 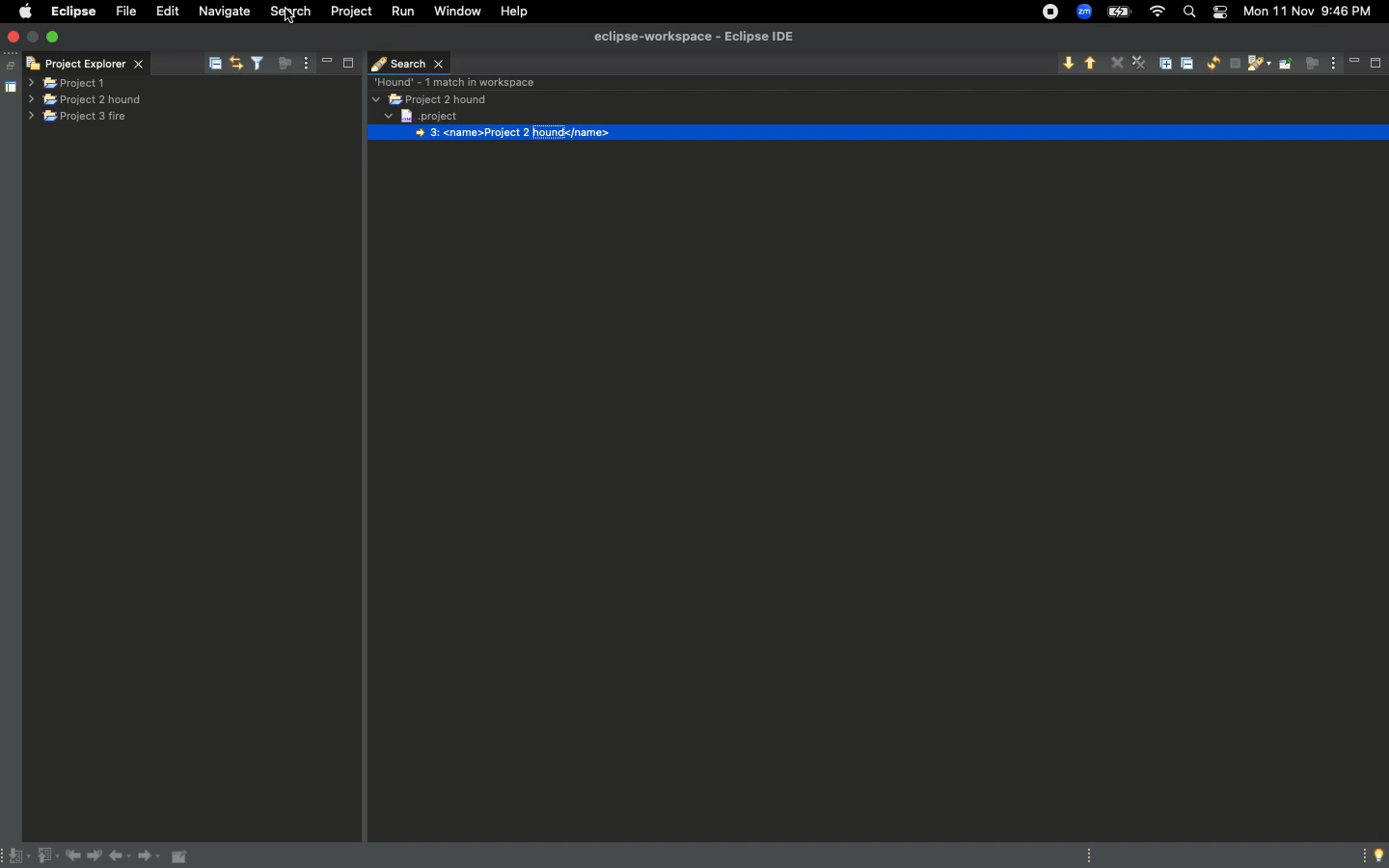 I want to click on Help, so click(x=521, y=13).